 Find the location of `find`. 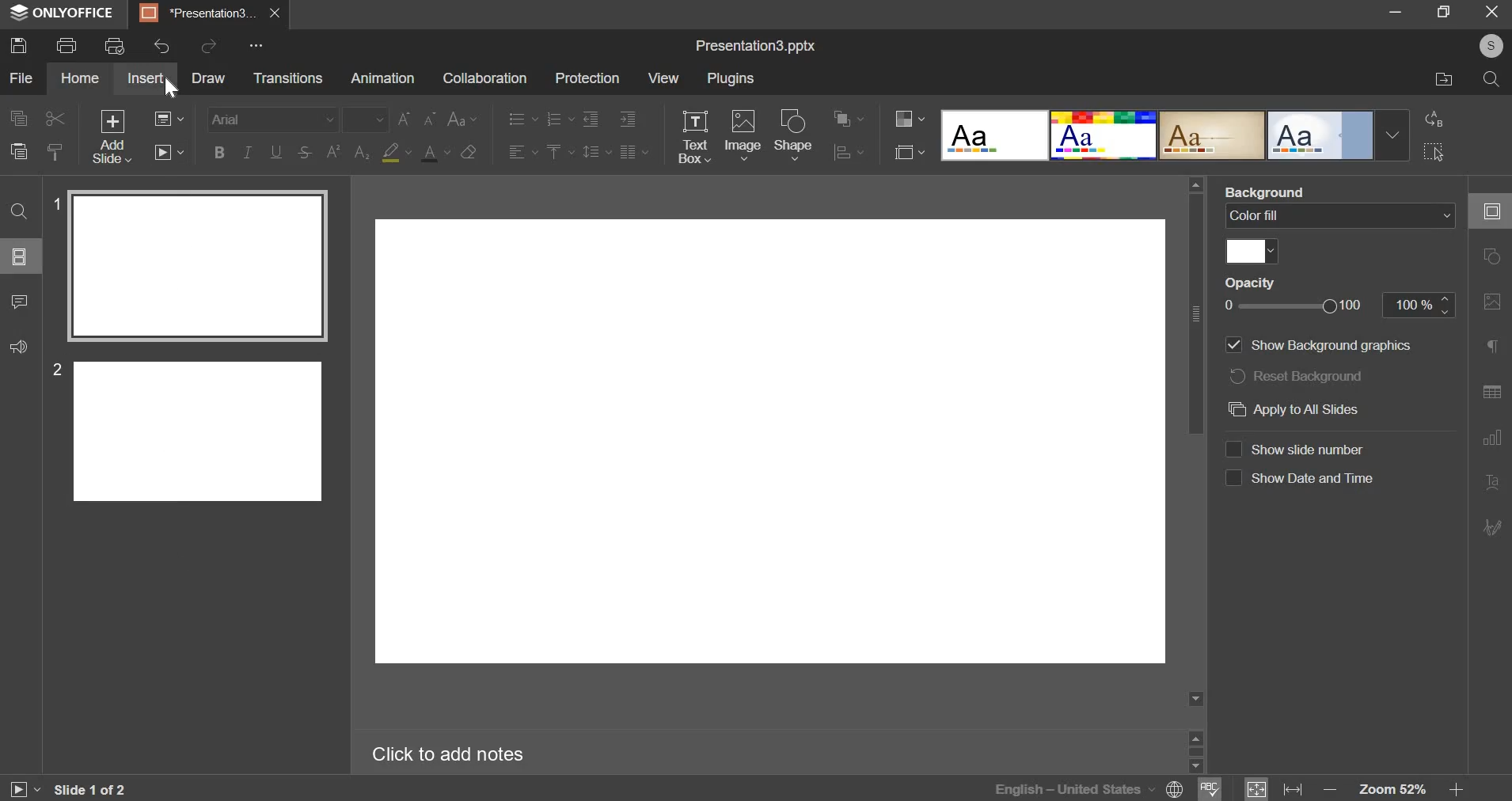

find is located at coordinates (19, 212).